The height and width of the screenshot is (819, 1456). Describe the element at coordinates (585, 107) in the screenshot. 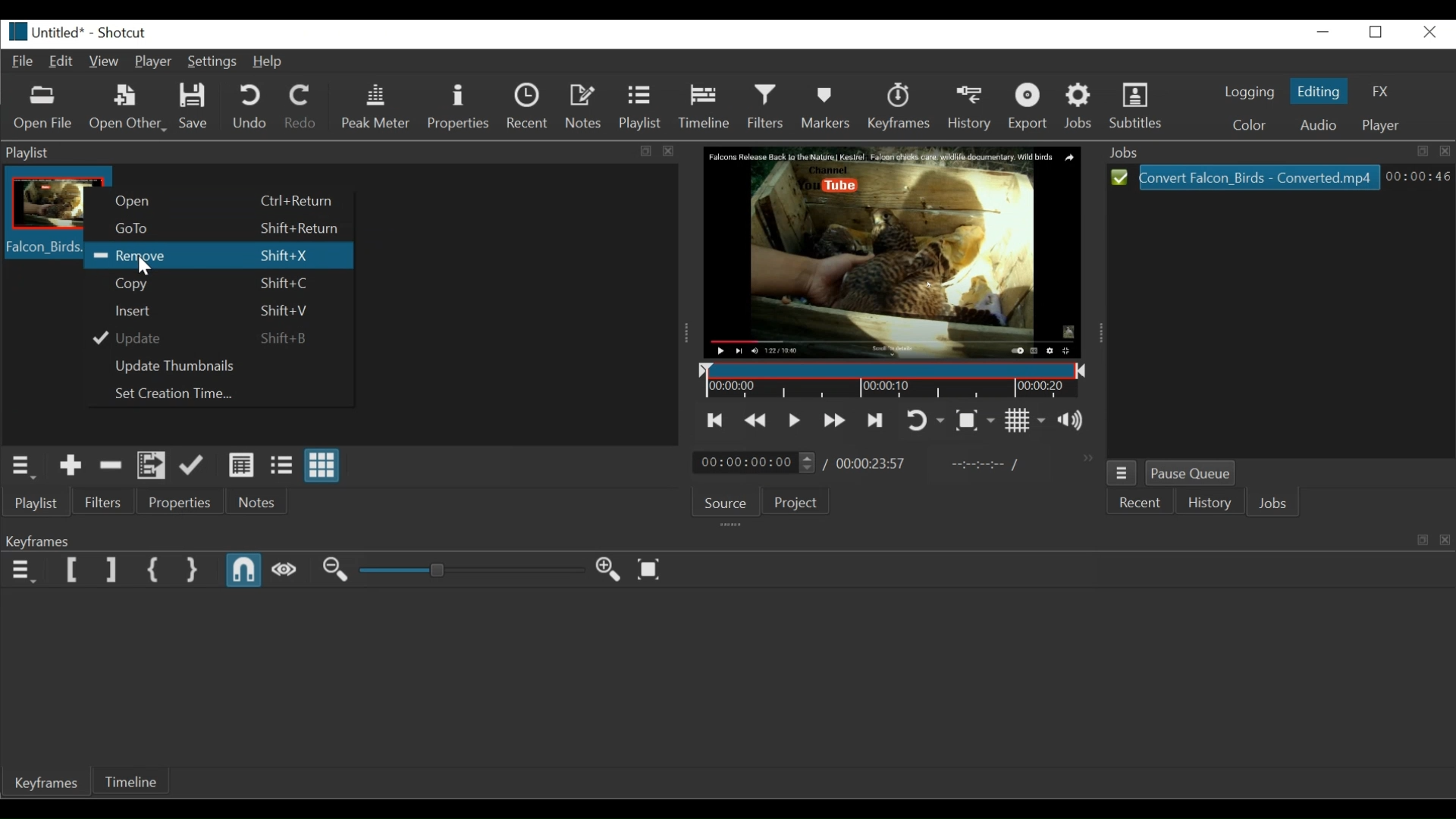

I see `Notes` at that location.